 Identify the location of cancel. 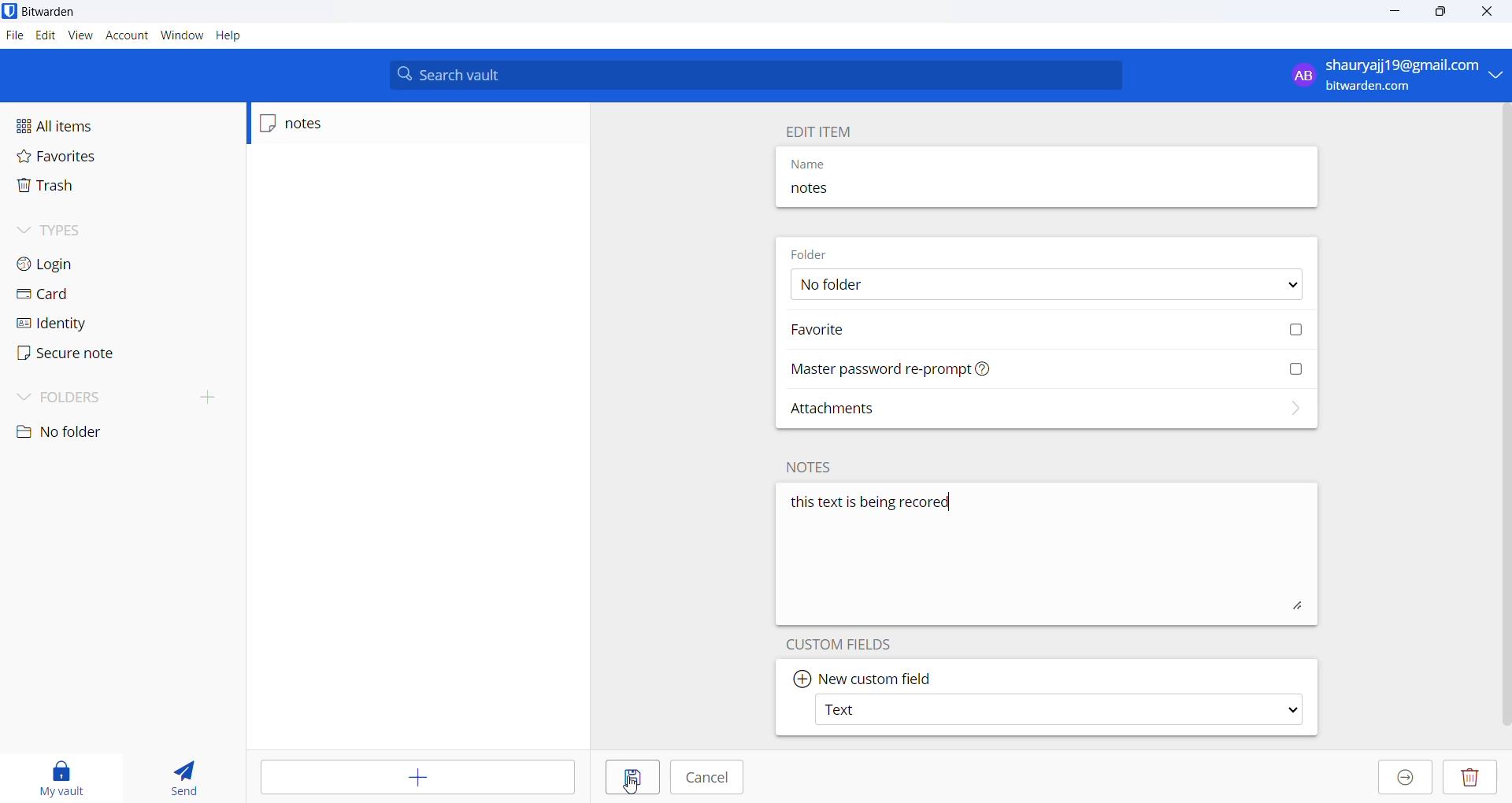
(708, 778).